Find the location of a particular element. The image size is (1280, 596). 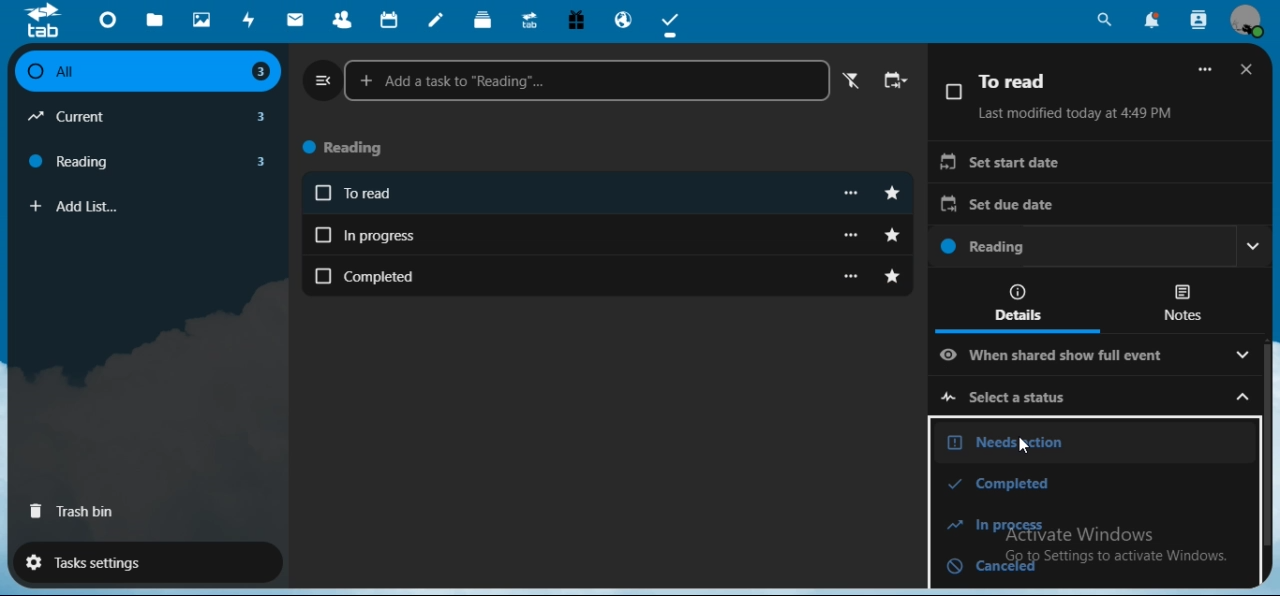

Checkbox is located at coordinates (32, 72).